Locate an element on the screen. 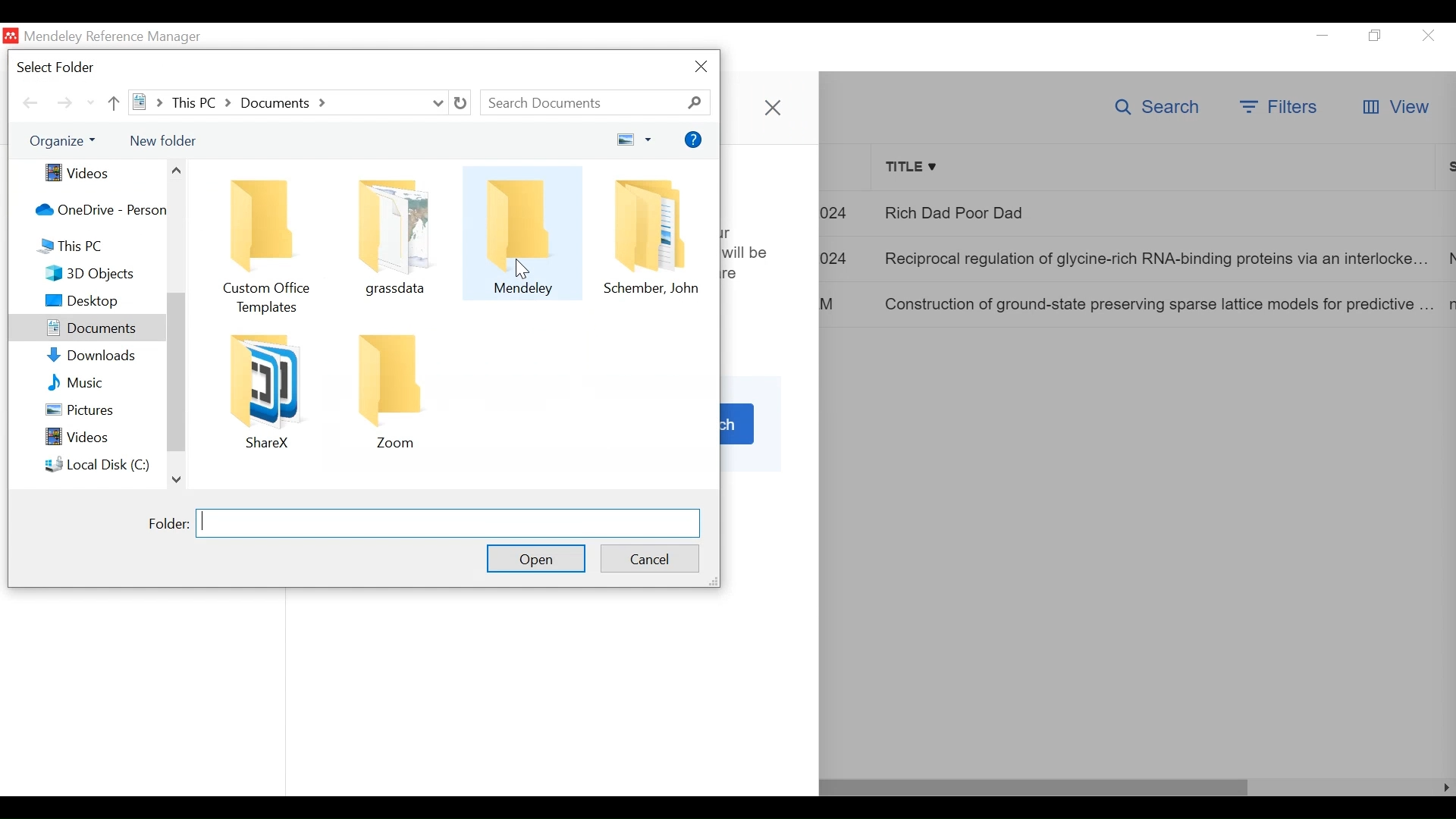 Image resolution: width=1456 pixels, height=819 pixels. Close is located at coordinates (1428, 36).